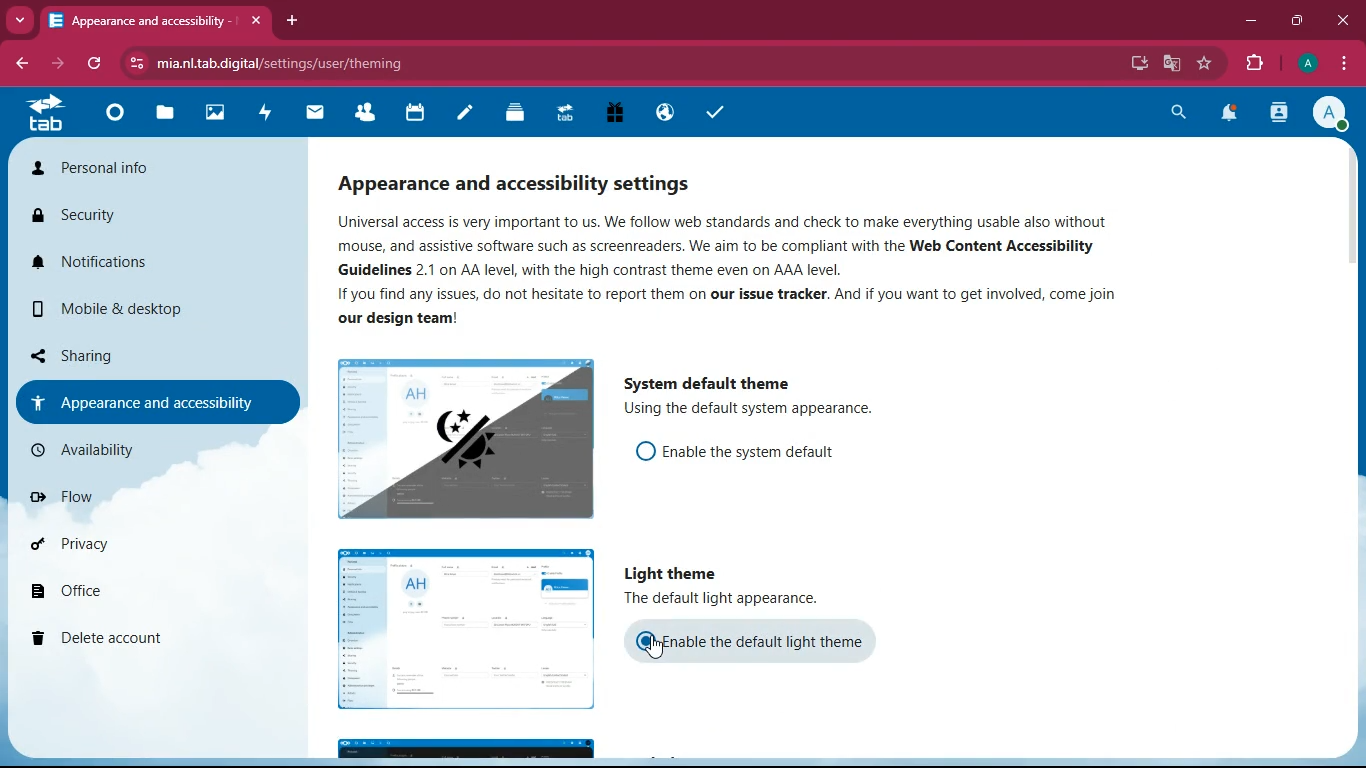  I want to click on add tab, so click(291, 19).